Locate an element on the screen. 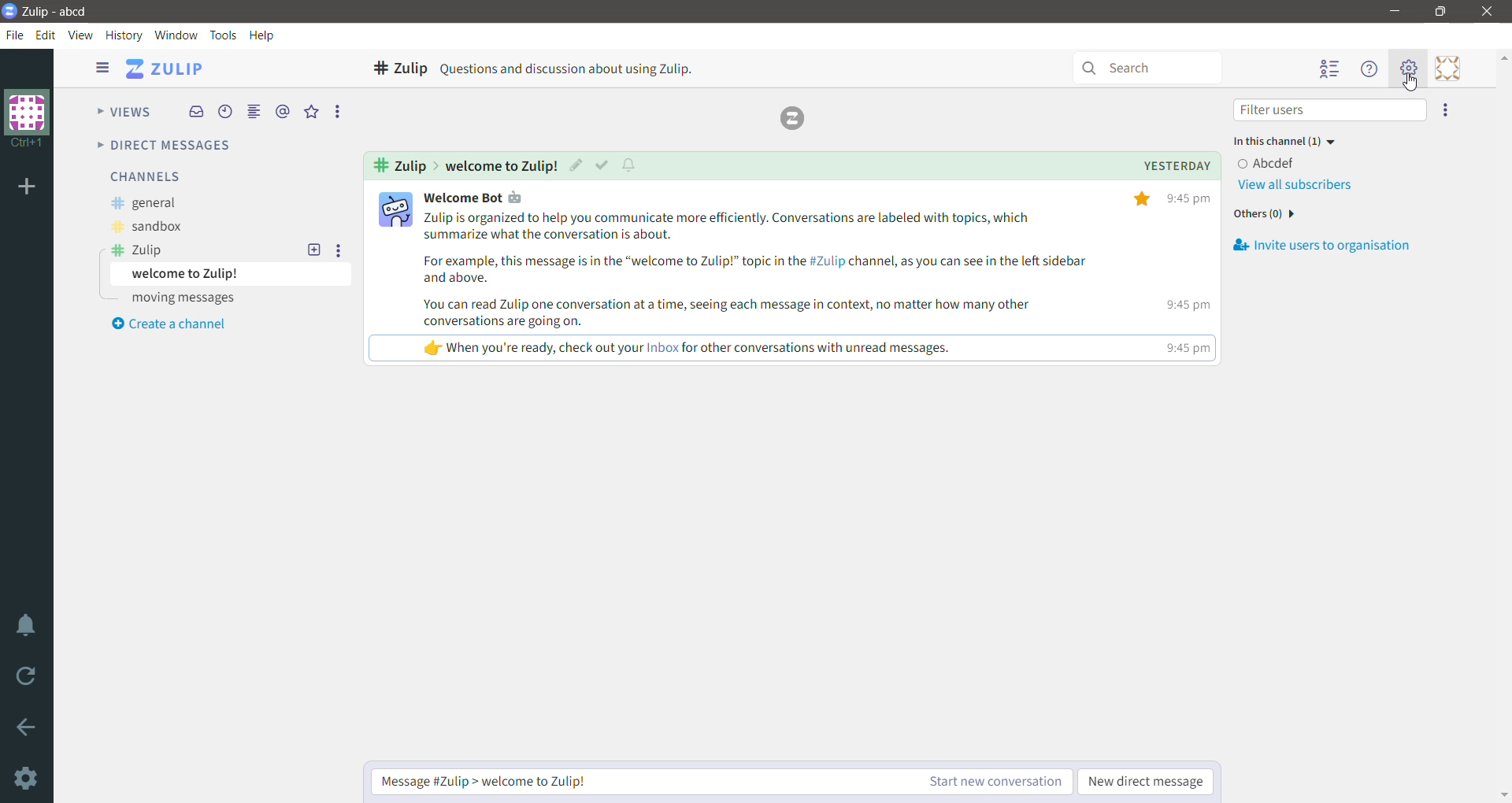  More options is located at coordinates (1447, 109).